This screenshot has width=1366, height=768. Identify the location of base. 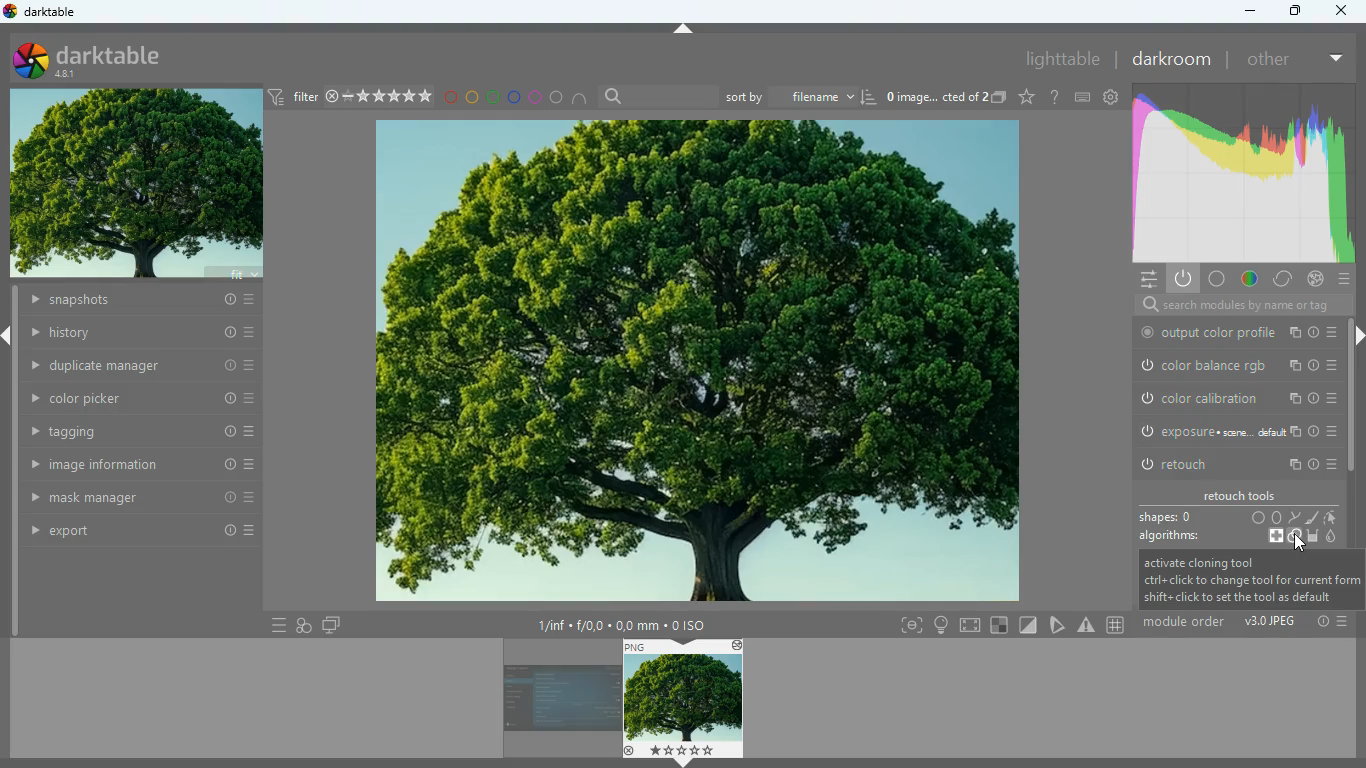
(1215, 278).